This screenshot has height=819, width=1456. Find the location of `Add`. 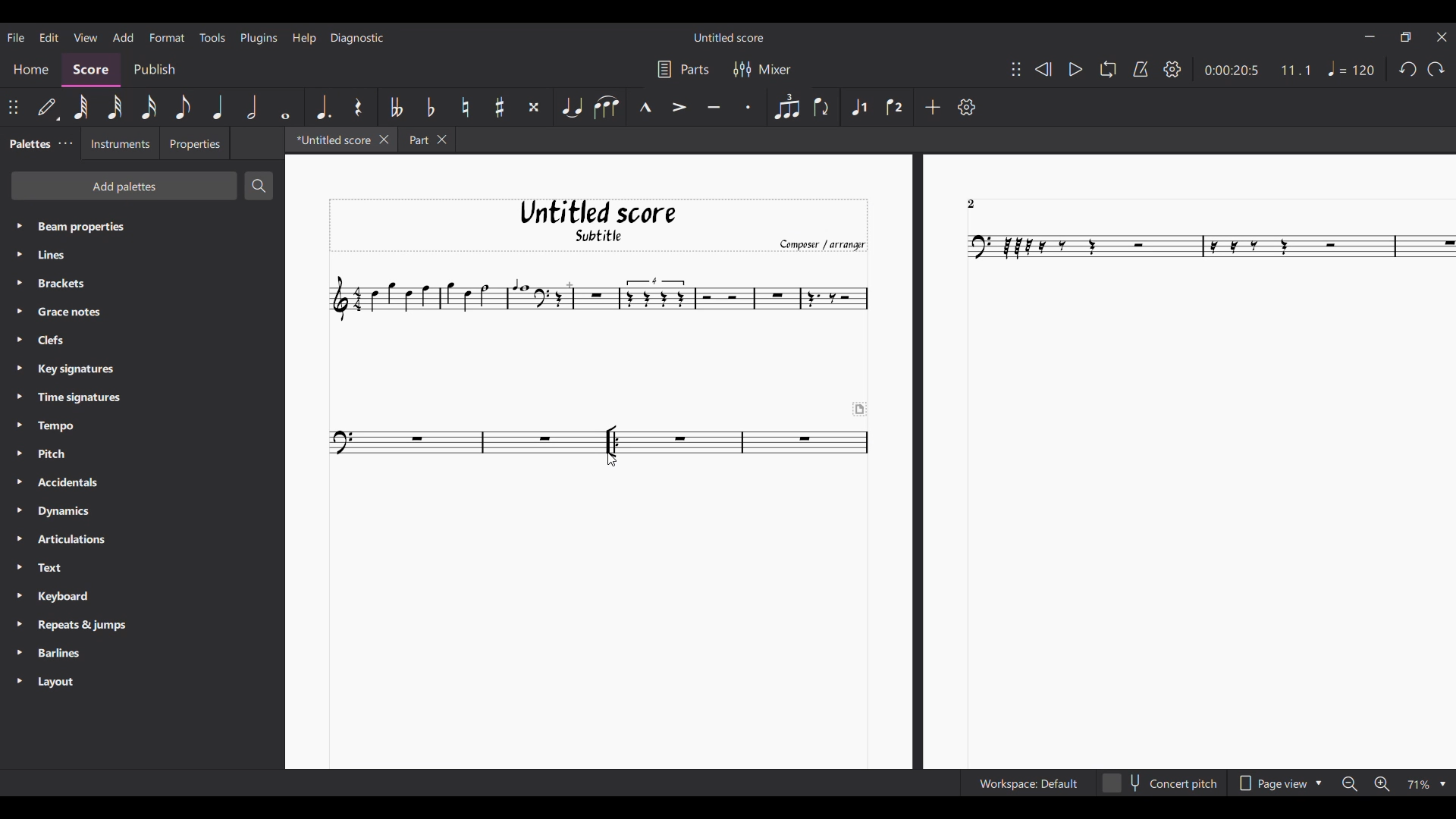

Add is located at coordinates (934, 107).